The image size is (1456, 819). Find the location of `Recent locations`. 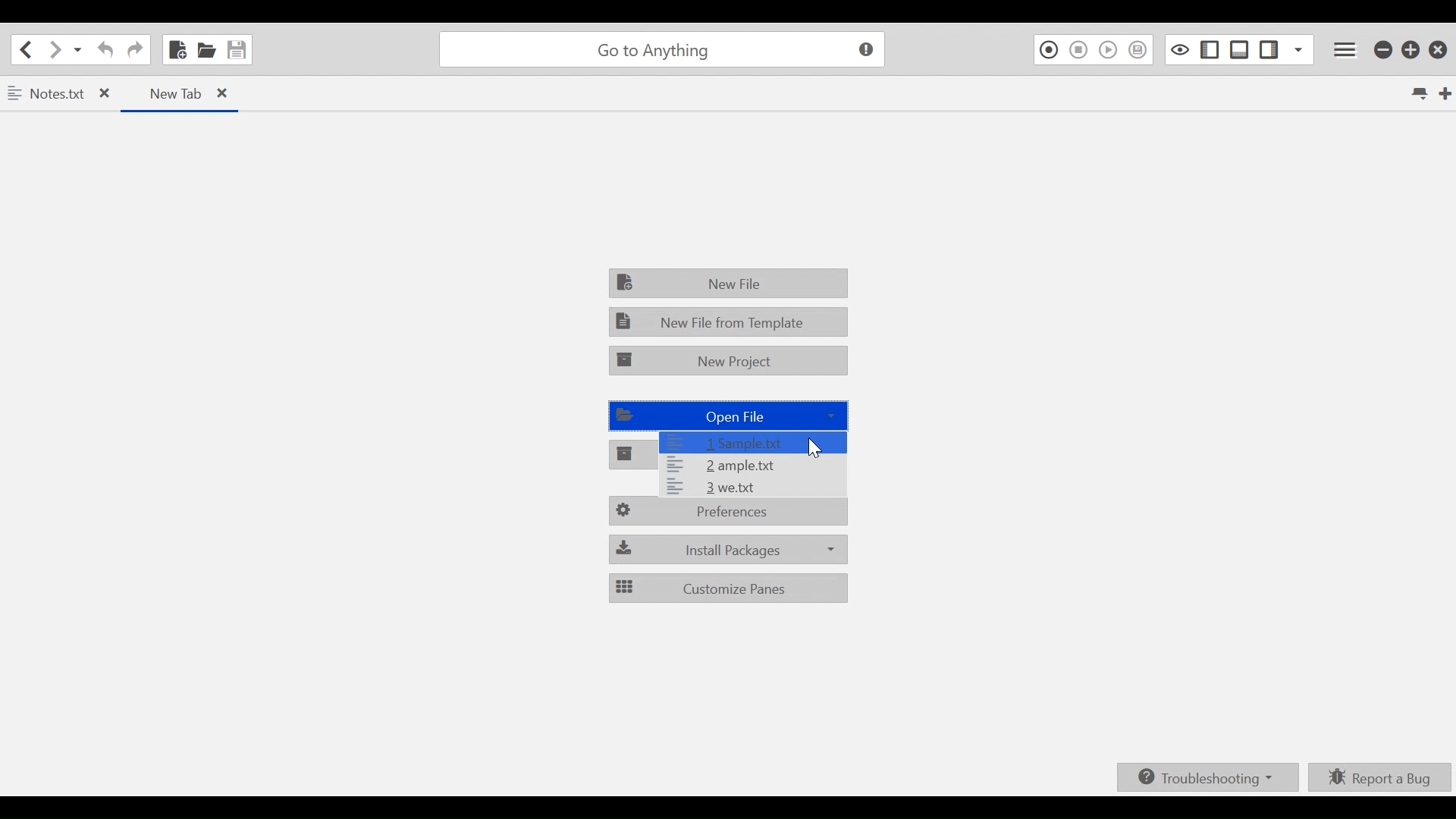

Recent locations is located at coordinates (78, 50).